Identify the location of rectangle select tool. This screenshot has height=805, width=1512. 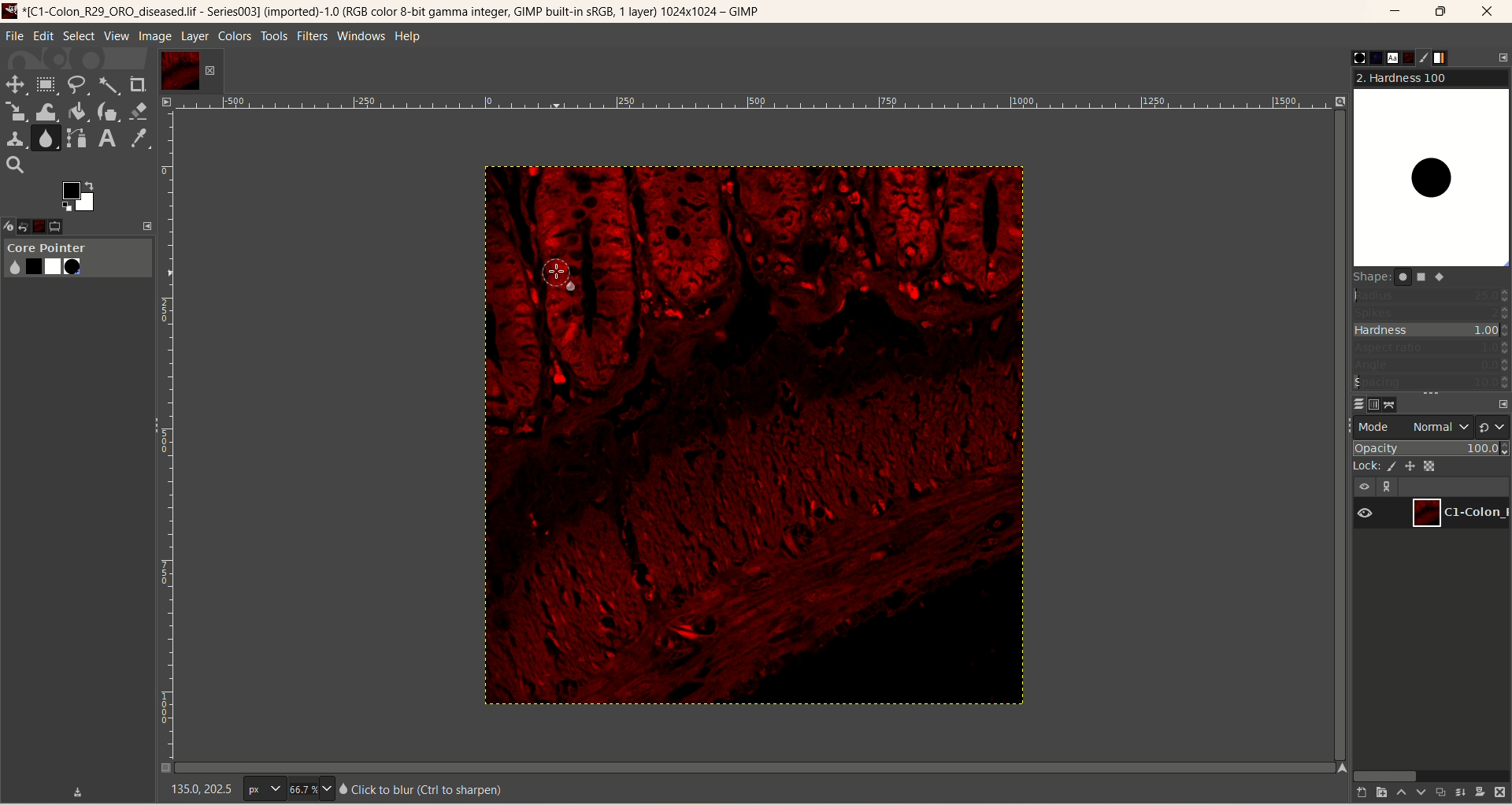
(46, 83).